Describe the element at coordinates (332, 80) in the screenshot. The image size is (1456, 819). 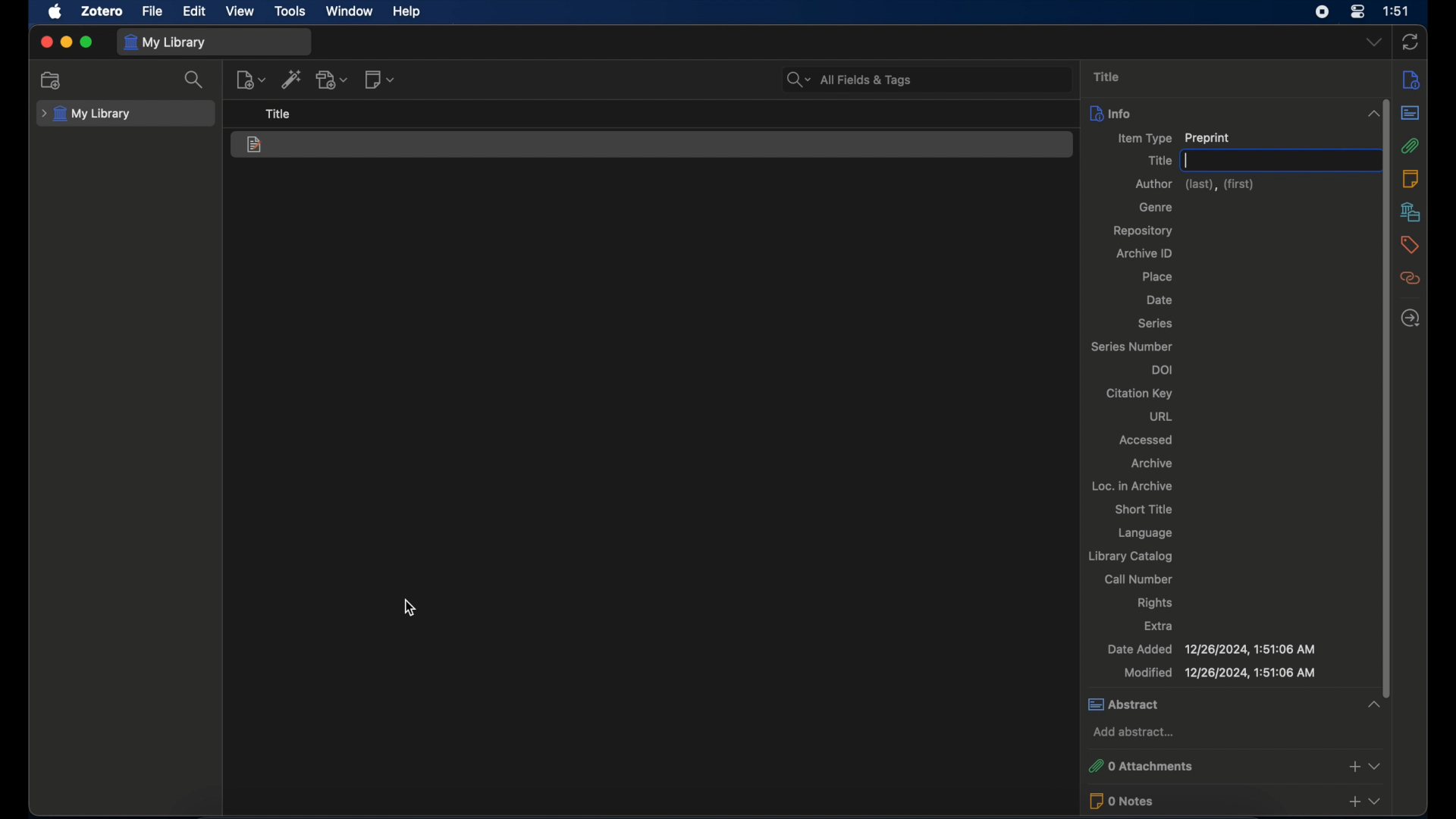
I see `add attachment` at that location.